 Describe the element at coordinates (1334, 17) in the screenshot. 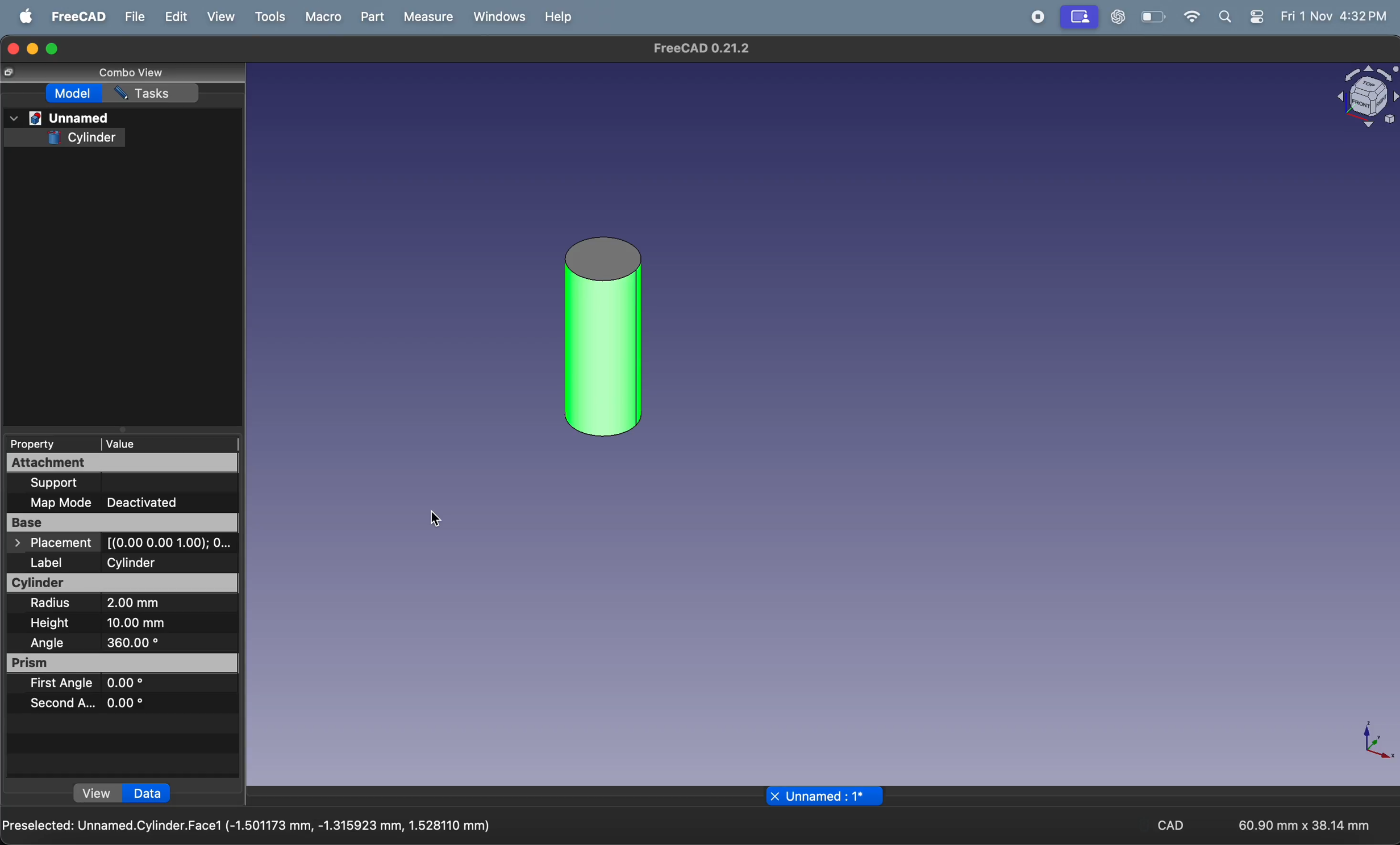

I see `Fri 1 Nov 4:32 PM` at that location.